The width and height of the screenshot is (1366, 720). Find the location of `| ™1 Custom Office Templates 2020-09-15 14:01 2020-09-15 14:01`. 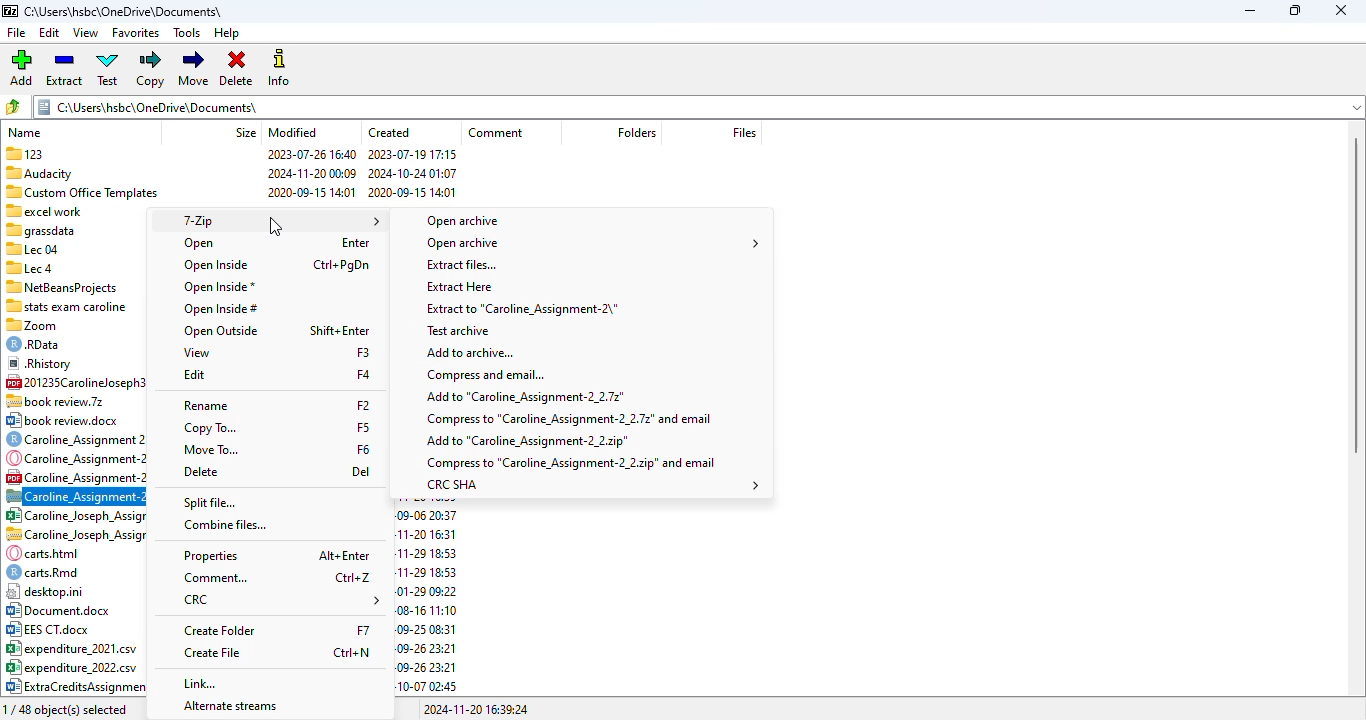

| ™1 Custom Office Templates 2020-09-15 14:01 2020-09-15 14:01 is located at coordinates (232, 191).